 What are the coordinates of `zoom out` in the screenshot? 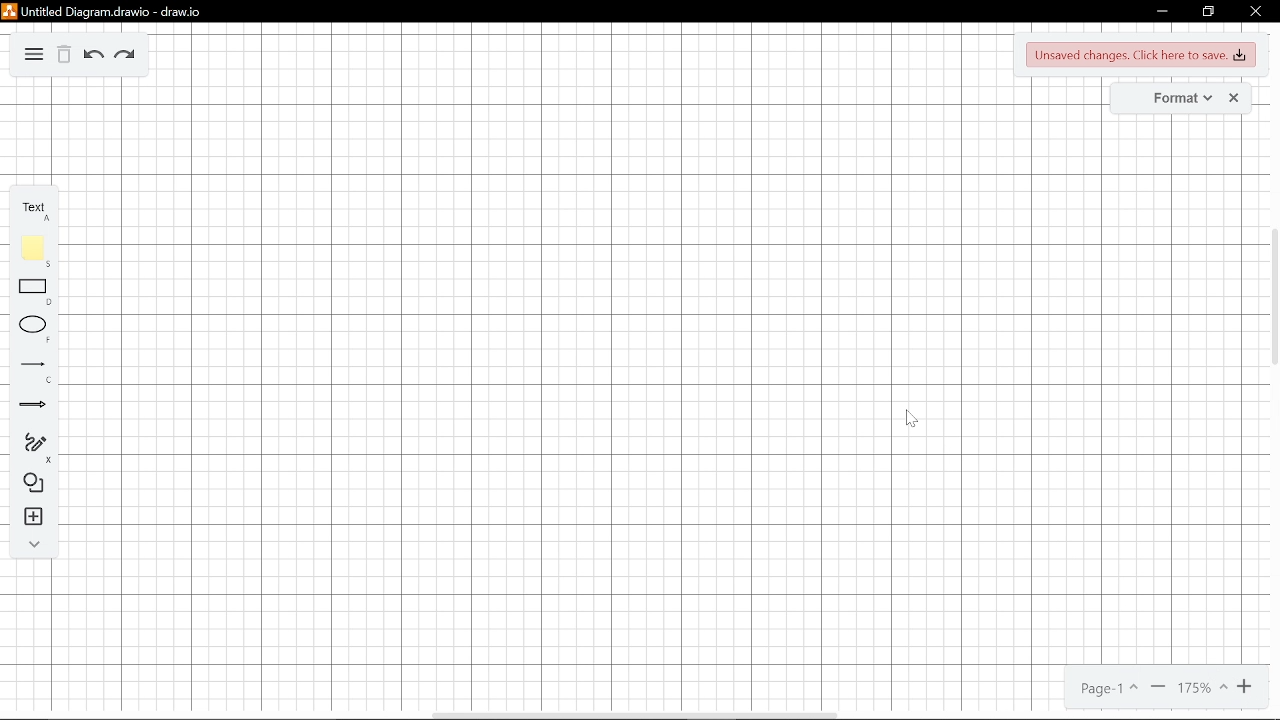 It's located at (1159, 686).